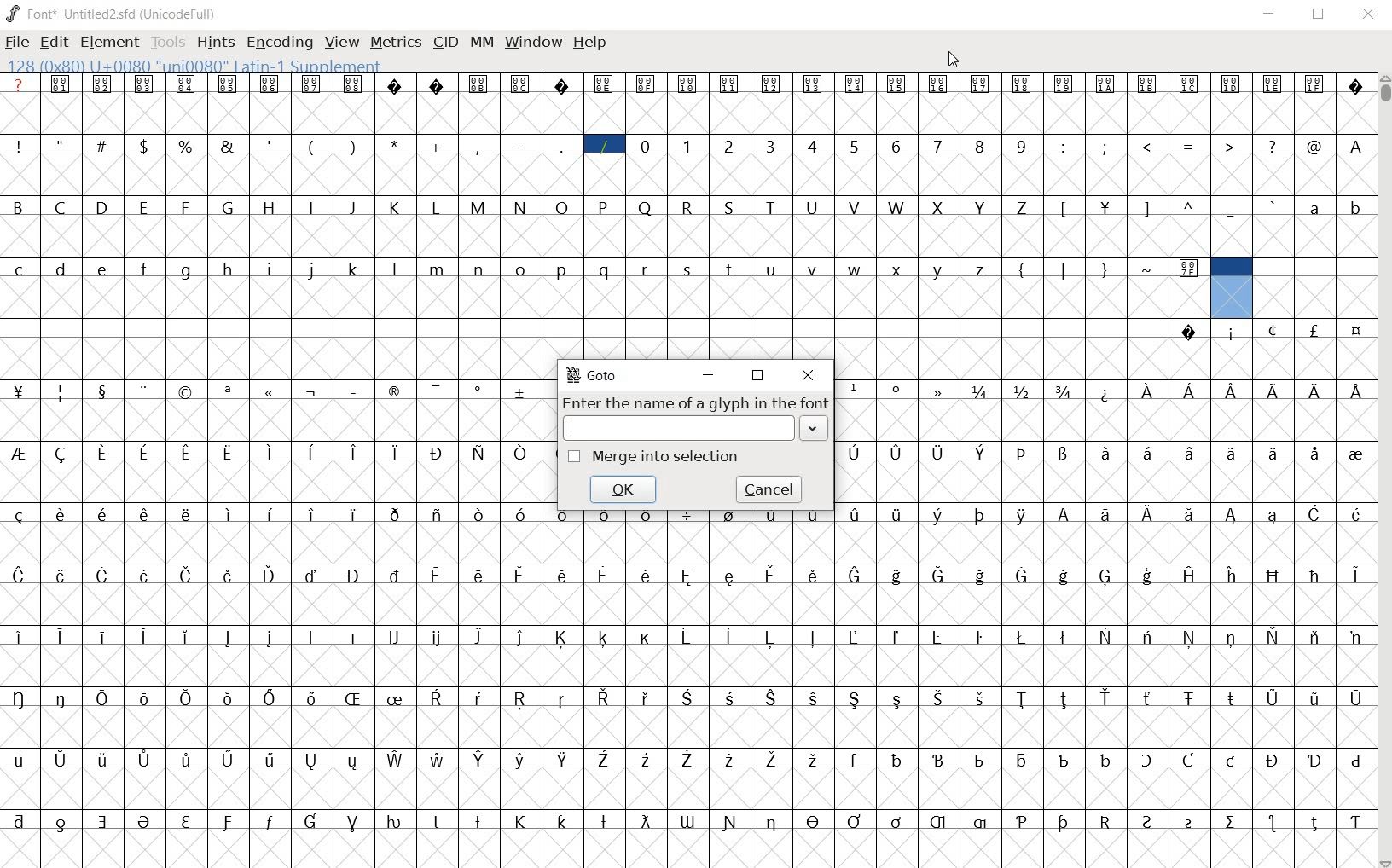  What do you see at coordinates (690, 697) in the screenshot?
I see `Symbol` at bounding box center [690, 697].